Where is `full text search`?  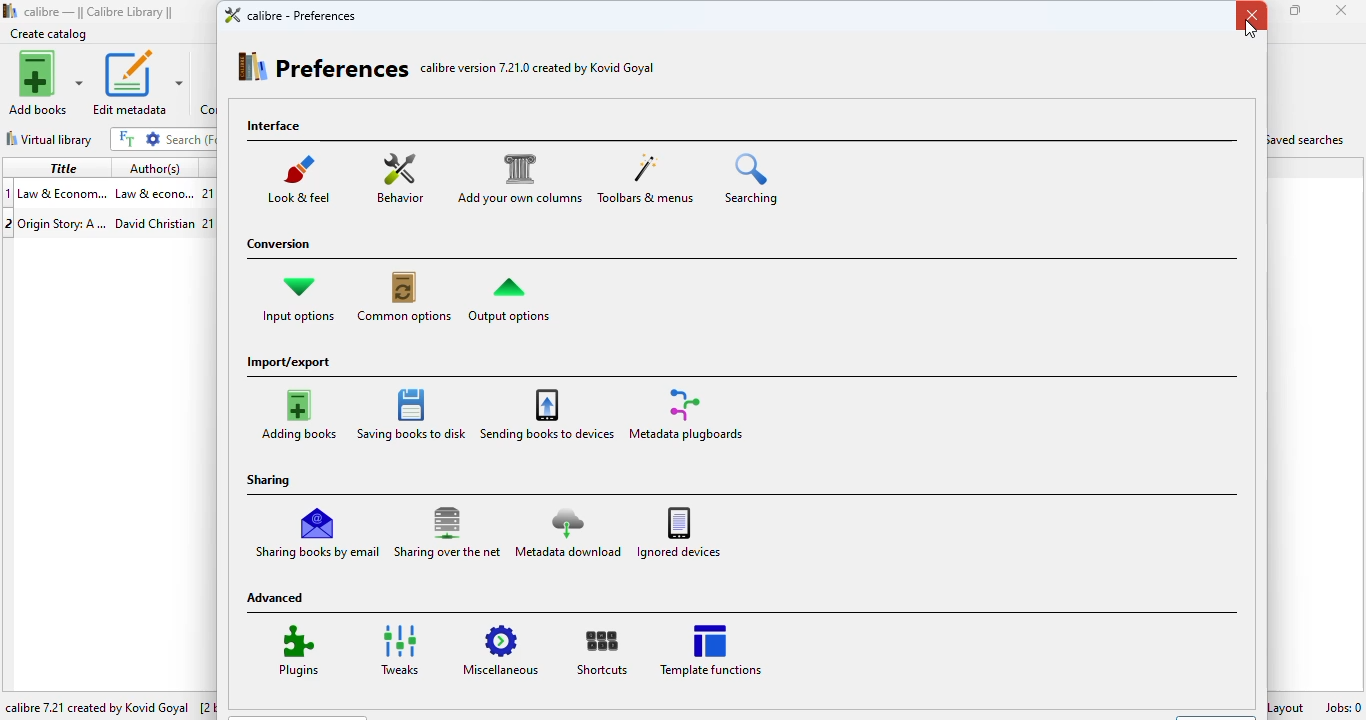 full text search is located at coordinates (126, 138).